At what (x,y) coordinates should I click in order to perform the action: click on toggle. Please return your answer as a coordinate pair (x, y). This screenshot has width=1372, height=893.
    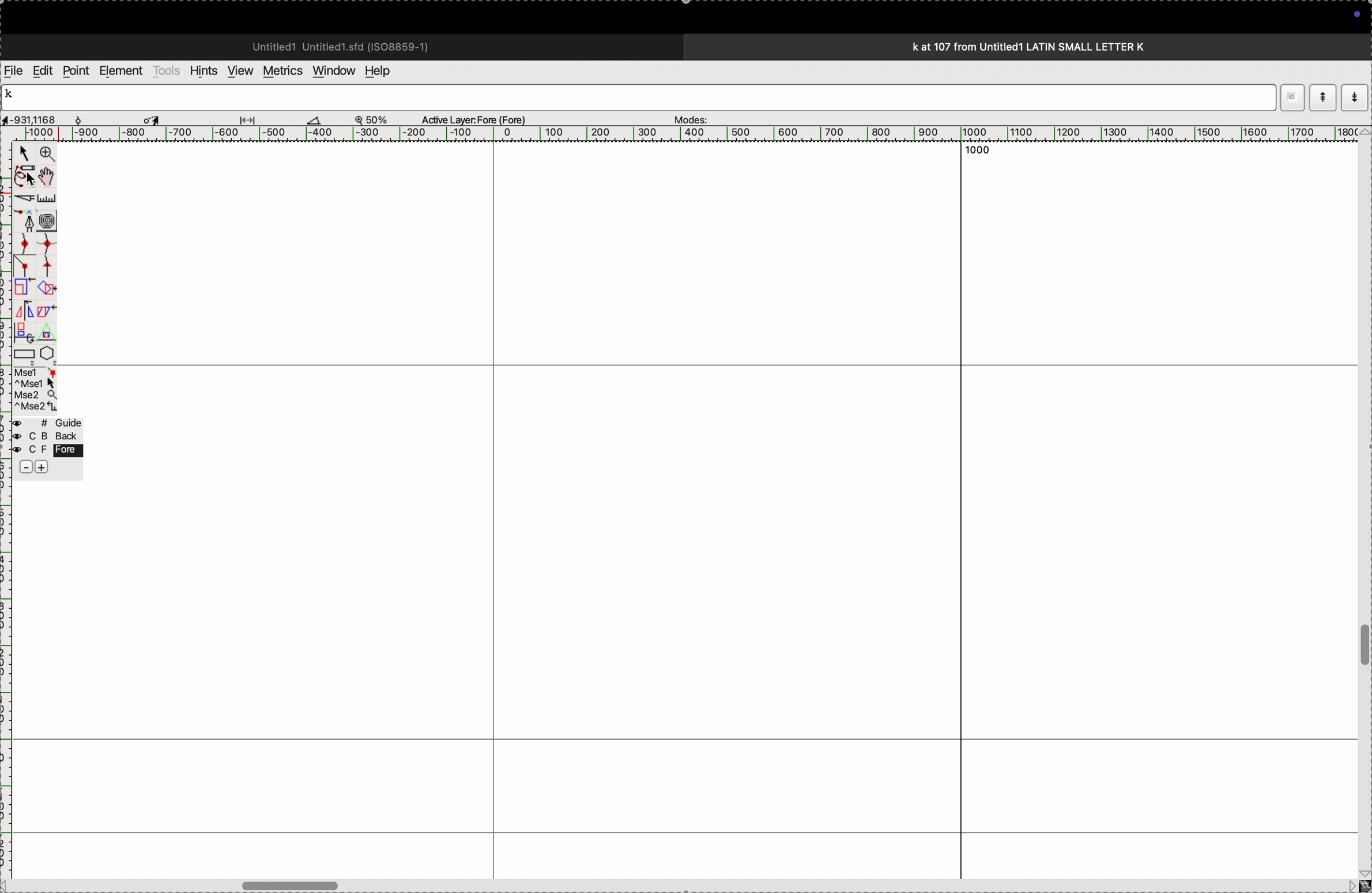
    Looking at the image, I should click on (50, 176).